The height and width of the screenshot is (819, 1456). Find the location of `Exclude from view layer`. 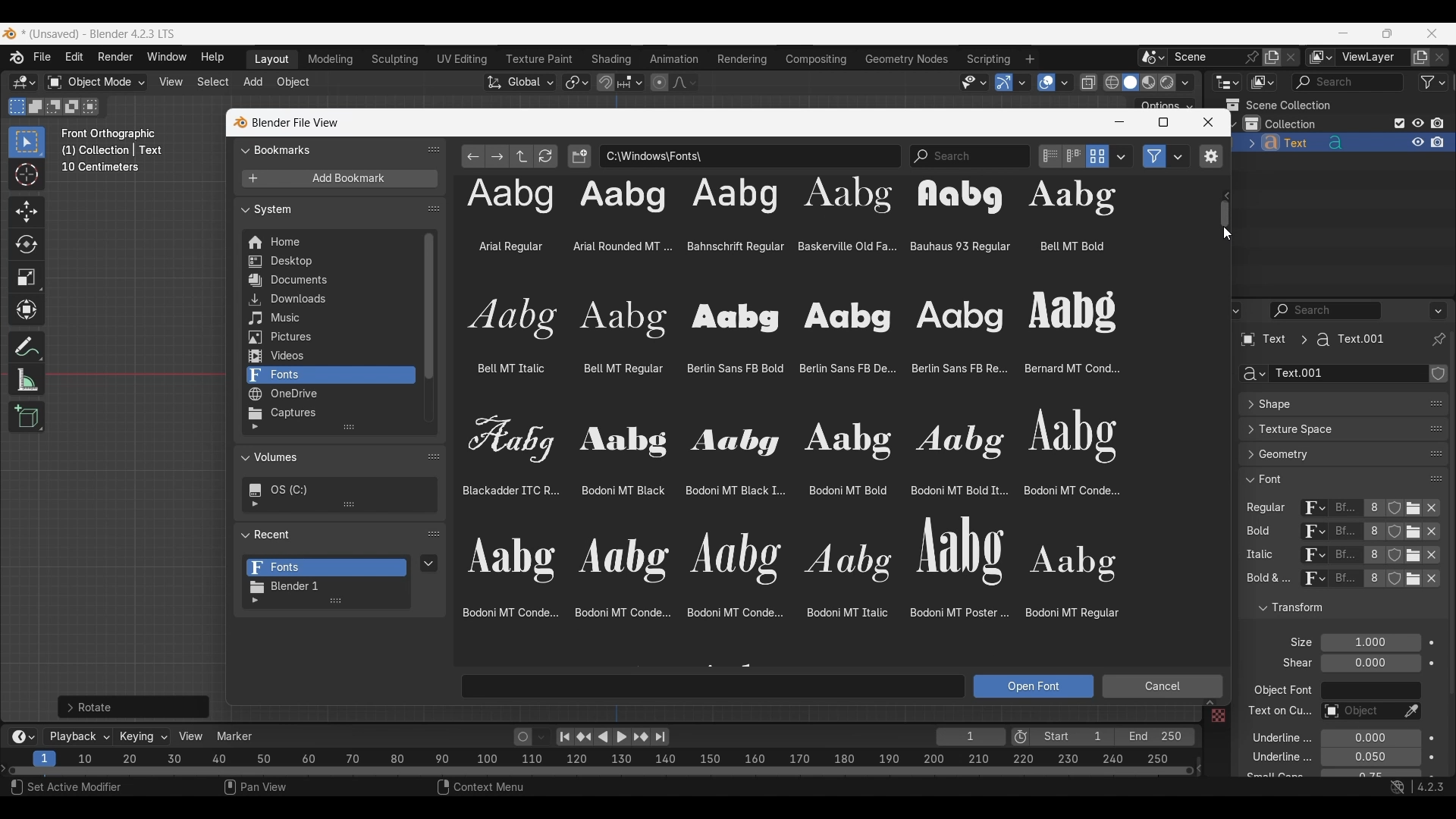

Exclude from view layer is located at coordinates (1400, 123).